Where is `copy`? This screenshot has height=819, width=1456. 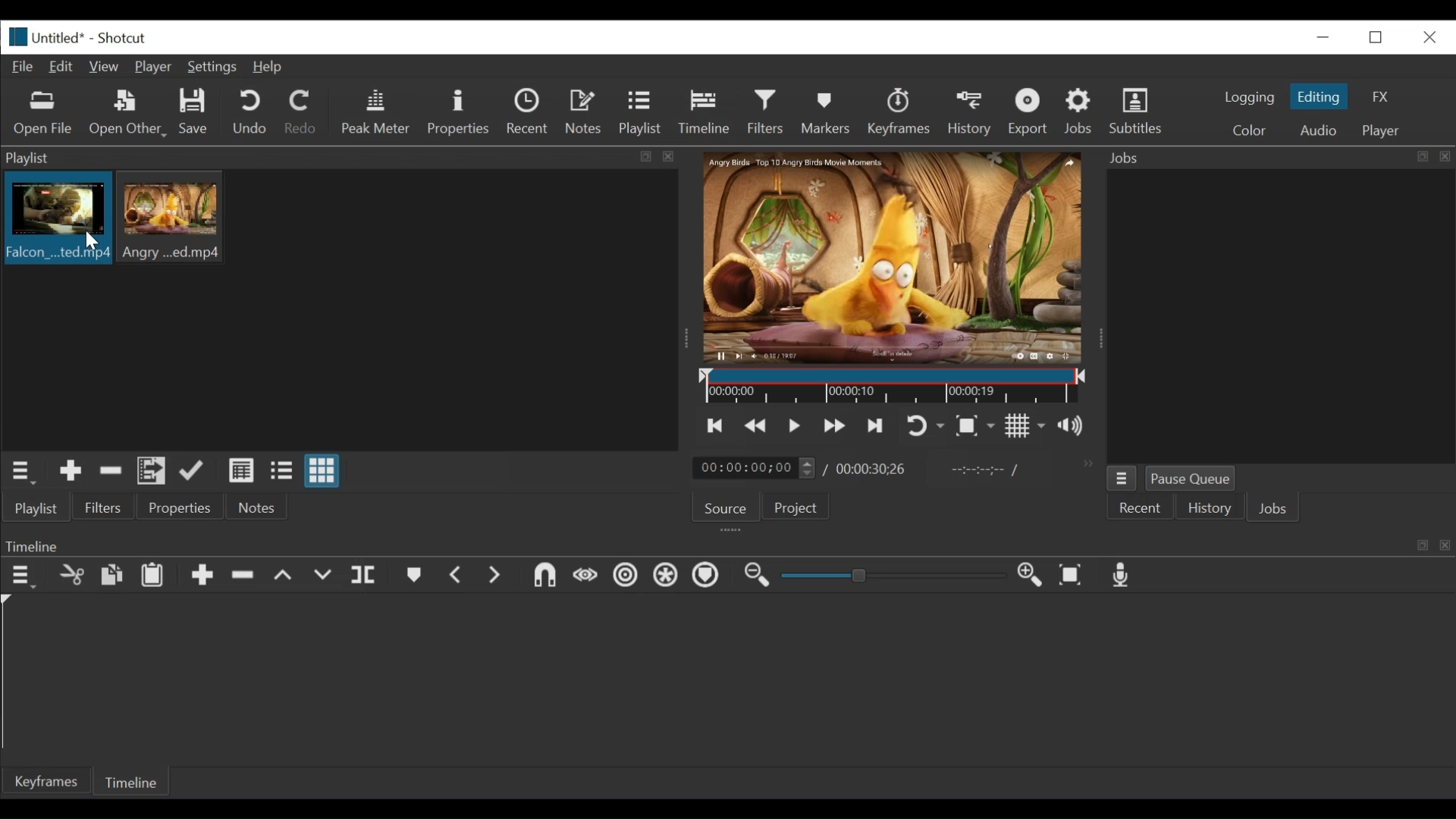 copy is located at coordinates (113, 577).